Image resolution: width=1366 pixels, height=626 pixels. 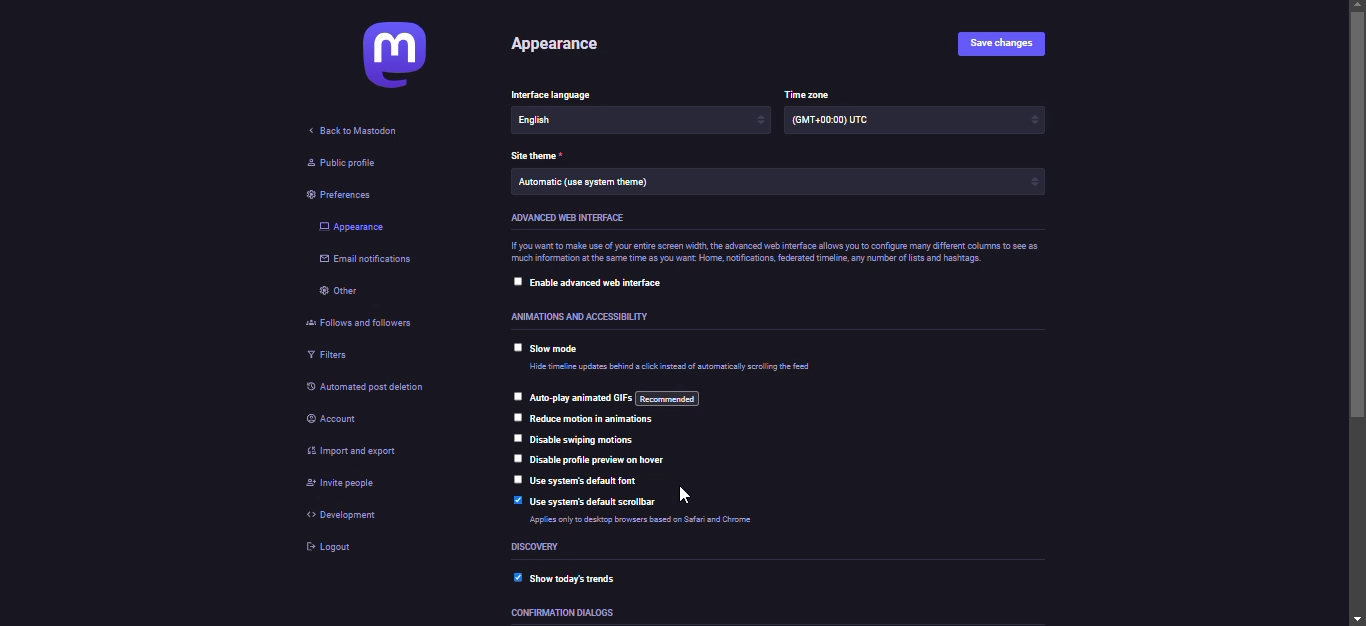 I want to click on click to select, so click(x=515, y=419).